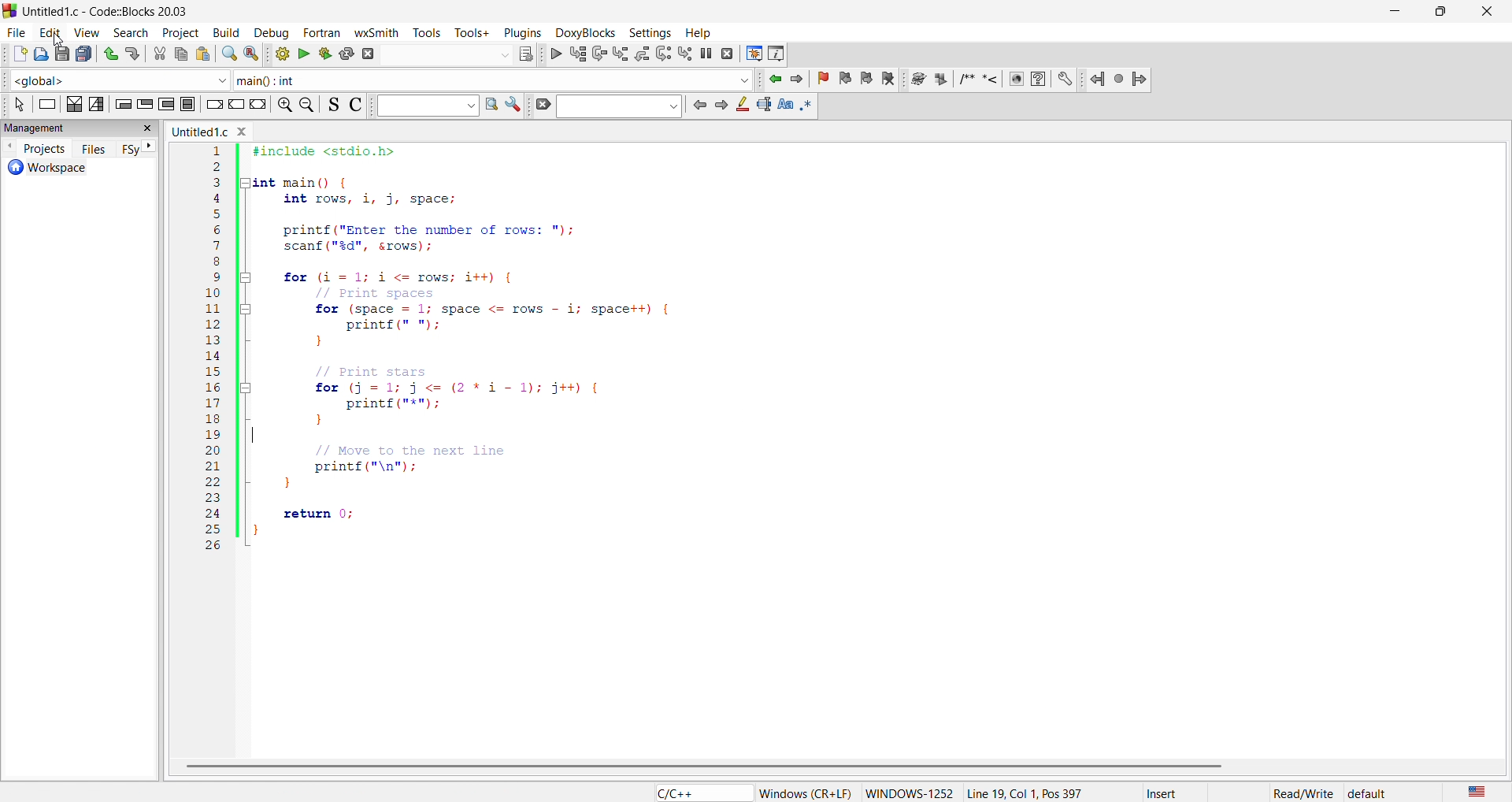  I want to click on language, so click(699, 793).